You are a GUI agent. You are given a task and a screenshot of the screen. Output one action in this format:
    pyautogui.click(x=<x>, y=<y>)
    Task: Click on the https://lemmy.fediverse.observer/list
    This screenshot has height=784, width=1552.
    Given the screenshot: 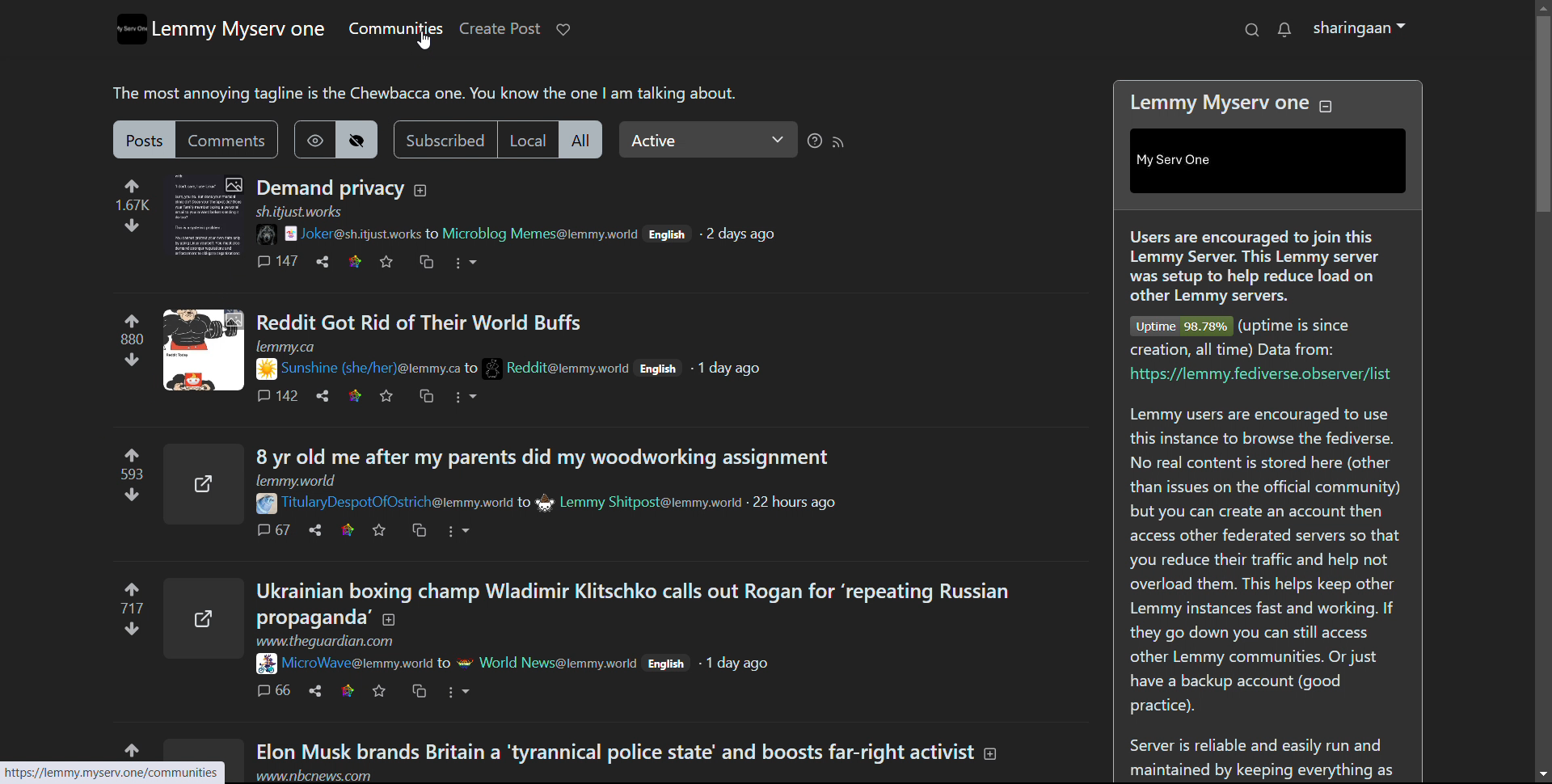 What is the action you would take?
    pyautogui.click(x=1258, y=377)
    